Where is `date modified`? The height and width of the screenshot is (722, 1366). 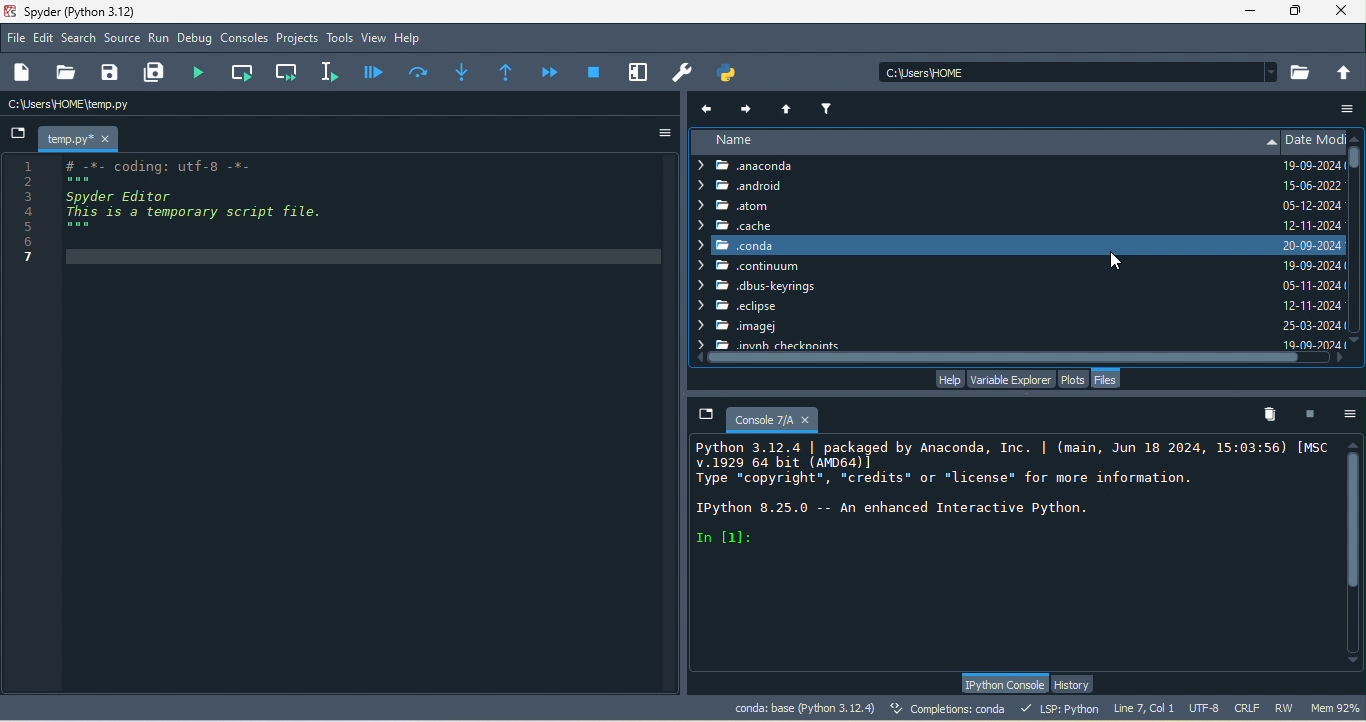
date modified is located at coordinates (1314, 240).